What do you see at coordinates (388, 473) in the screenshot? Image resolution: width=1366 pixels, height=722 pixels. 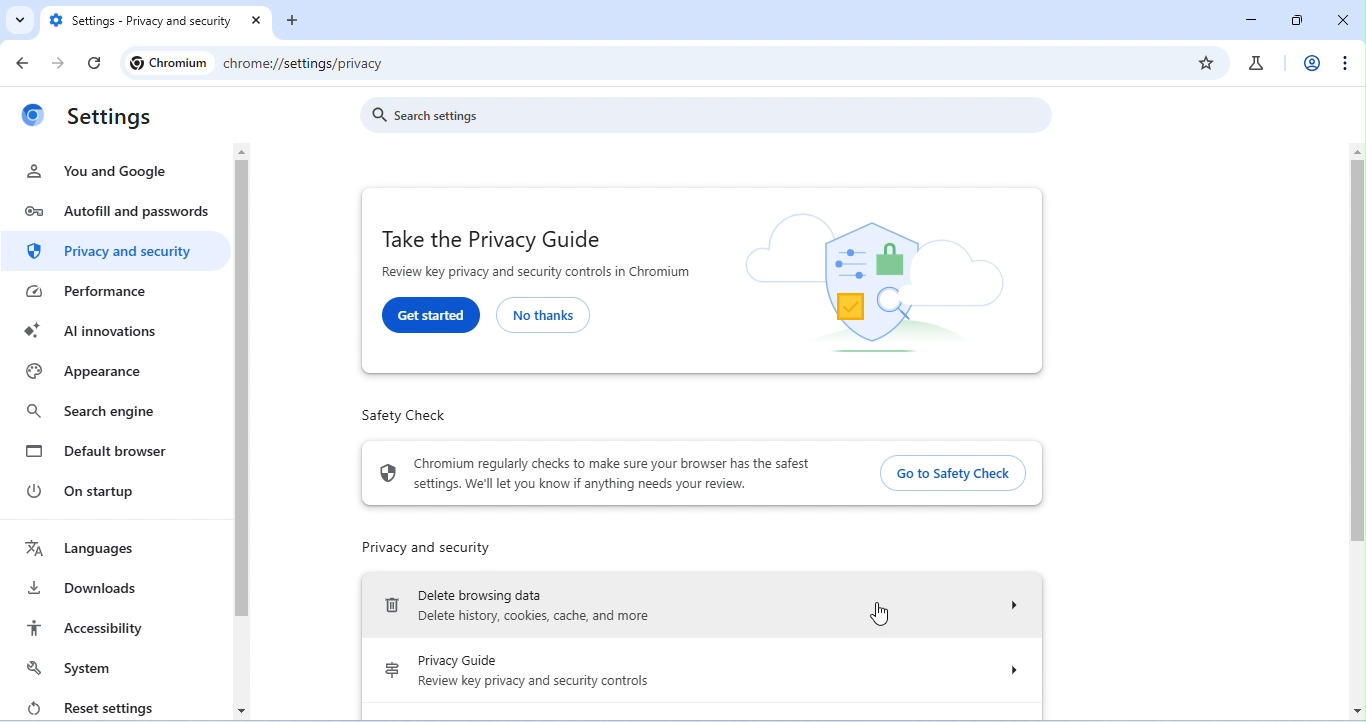 I see `Safety symbol` at bounding box center [388, 473].